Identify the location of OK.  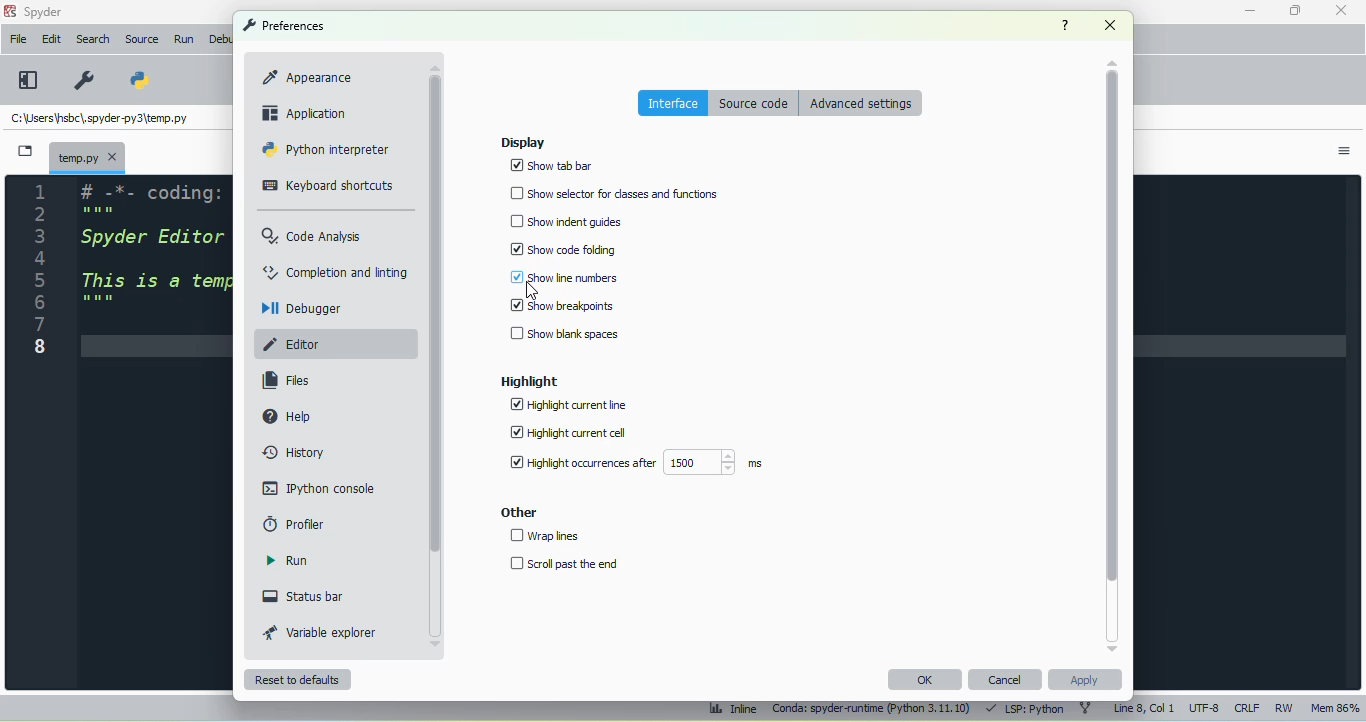
(925, 680).